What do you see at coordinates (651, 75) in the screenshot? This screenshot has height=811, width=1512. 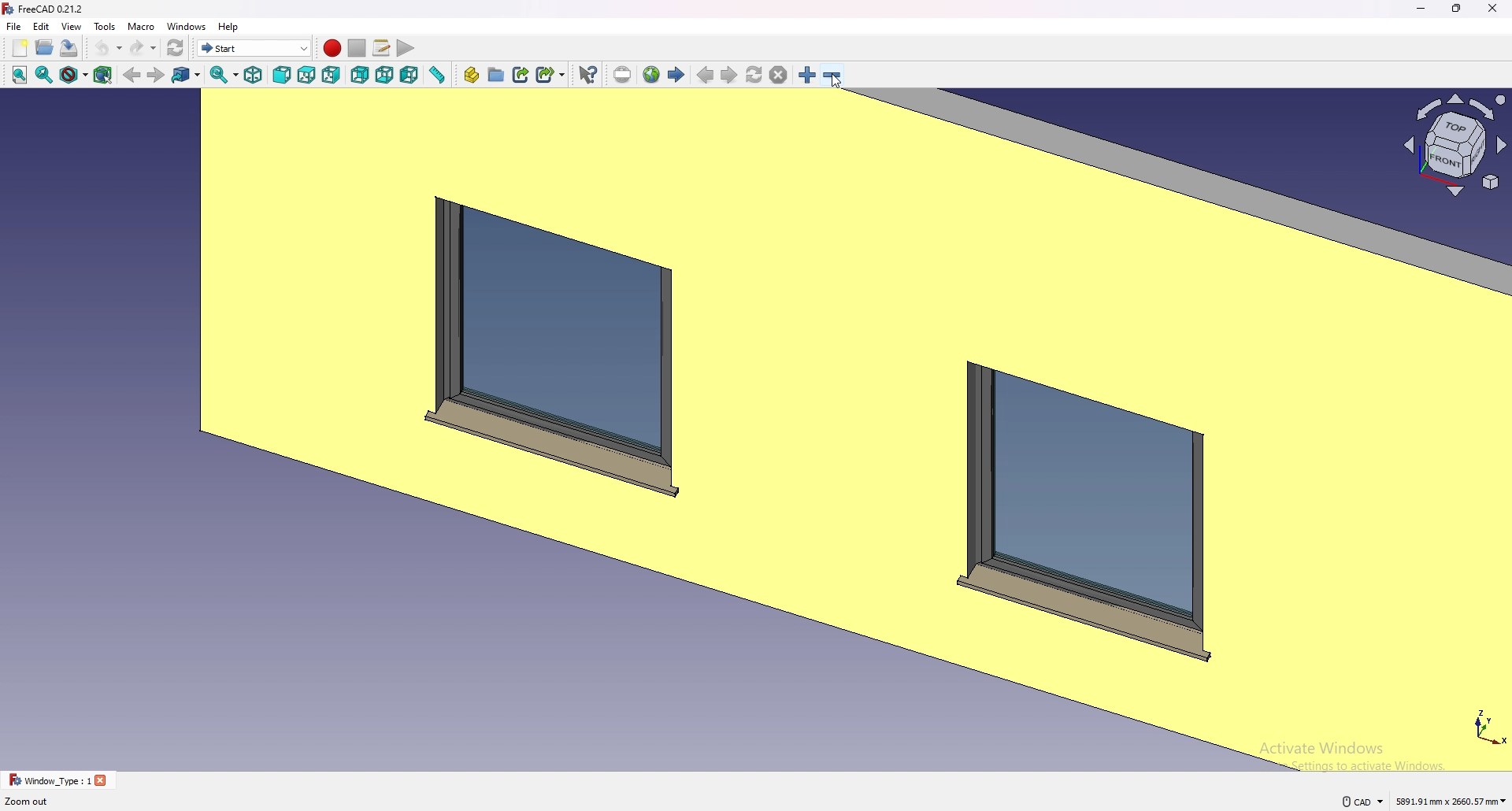 I see `open website` at bounding box center [651, 75].